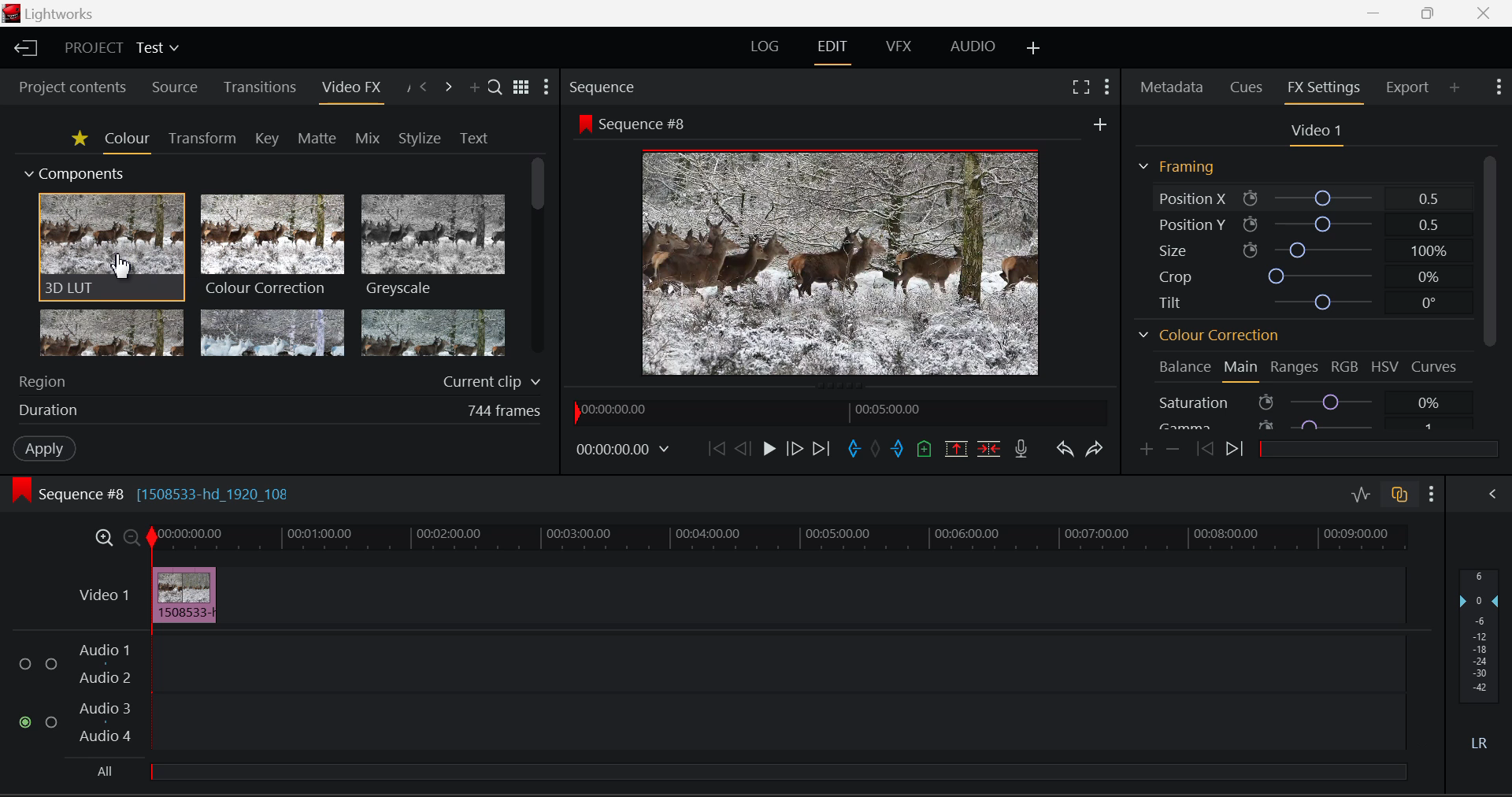 The image size is (1512, 797). What do you see at coordinates (1175, 165) in the screenshot?
I see `Framing Section` at bounding box center [1175, 165].